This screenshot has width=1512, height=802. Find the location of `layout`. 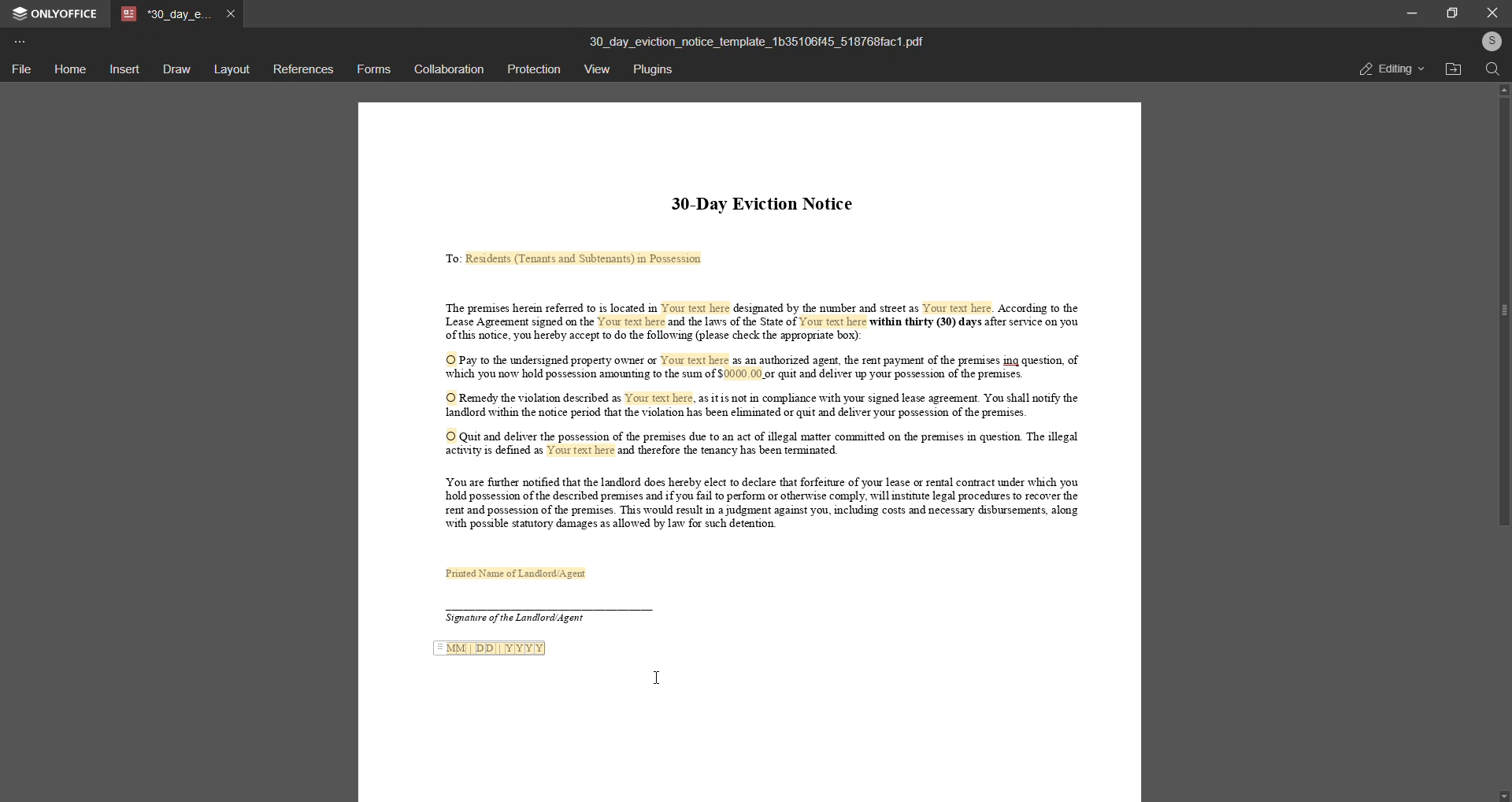

layout is located at coordinates (230, 69).